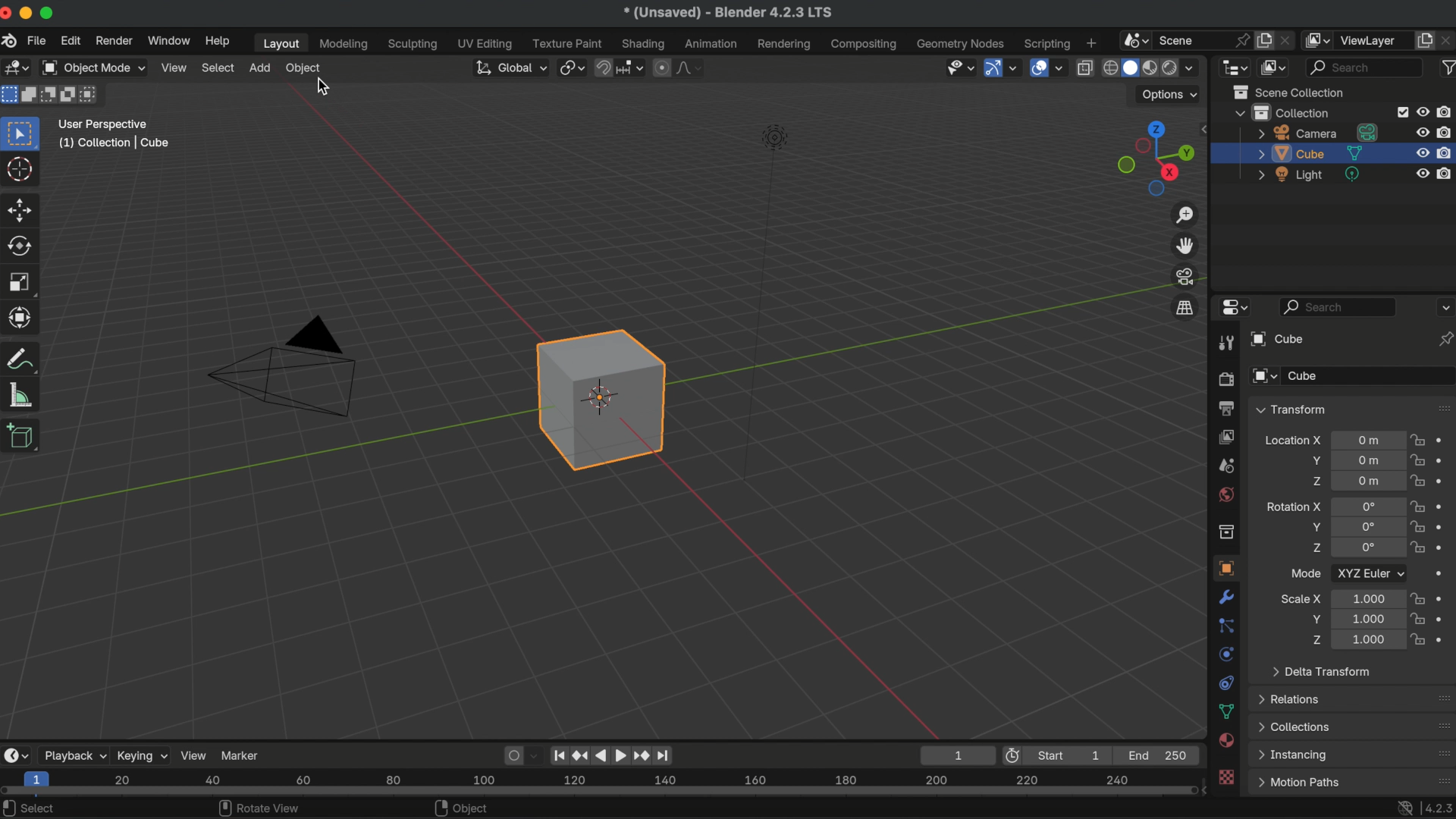 Image resolution: width=1456 pixels, height=819 pixels. I want to click on scale Z, so click(1314, 639).